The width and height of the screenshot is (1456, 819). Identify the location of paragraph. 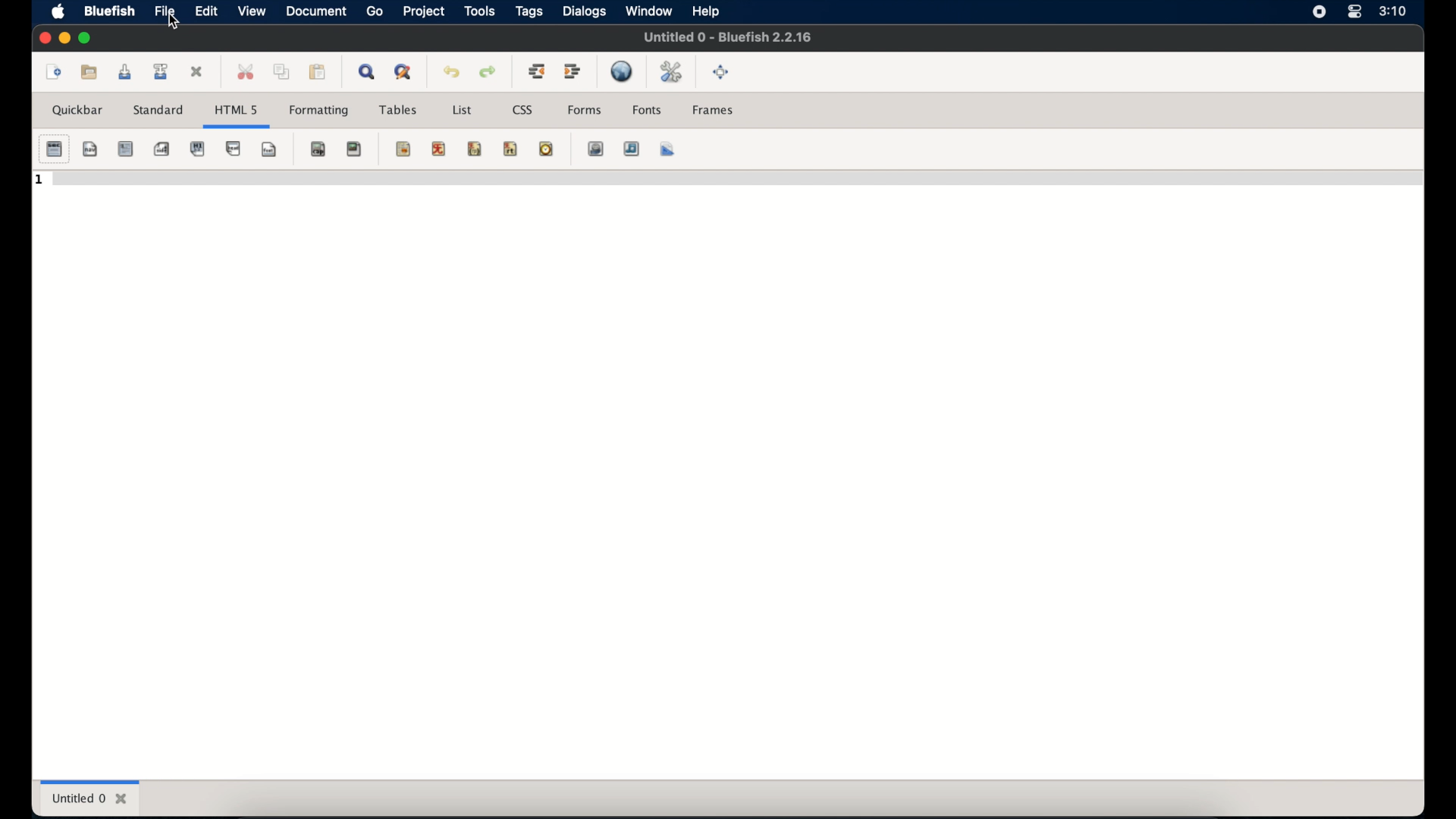
(198, 149).